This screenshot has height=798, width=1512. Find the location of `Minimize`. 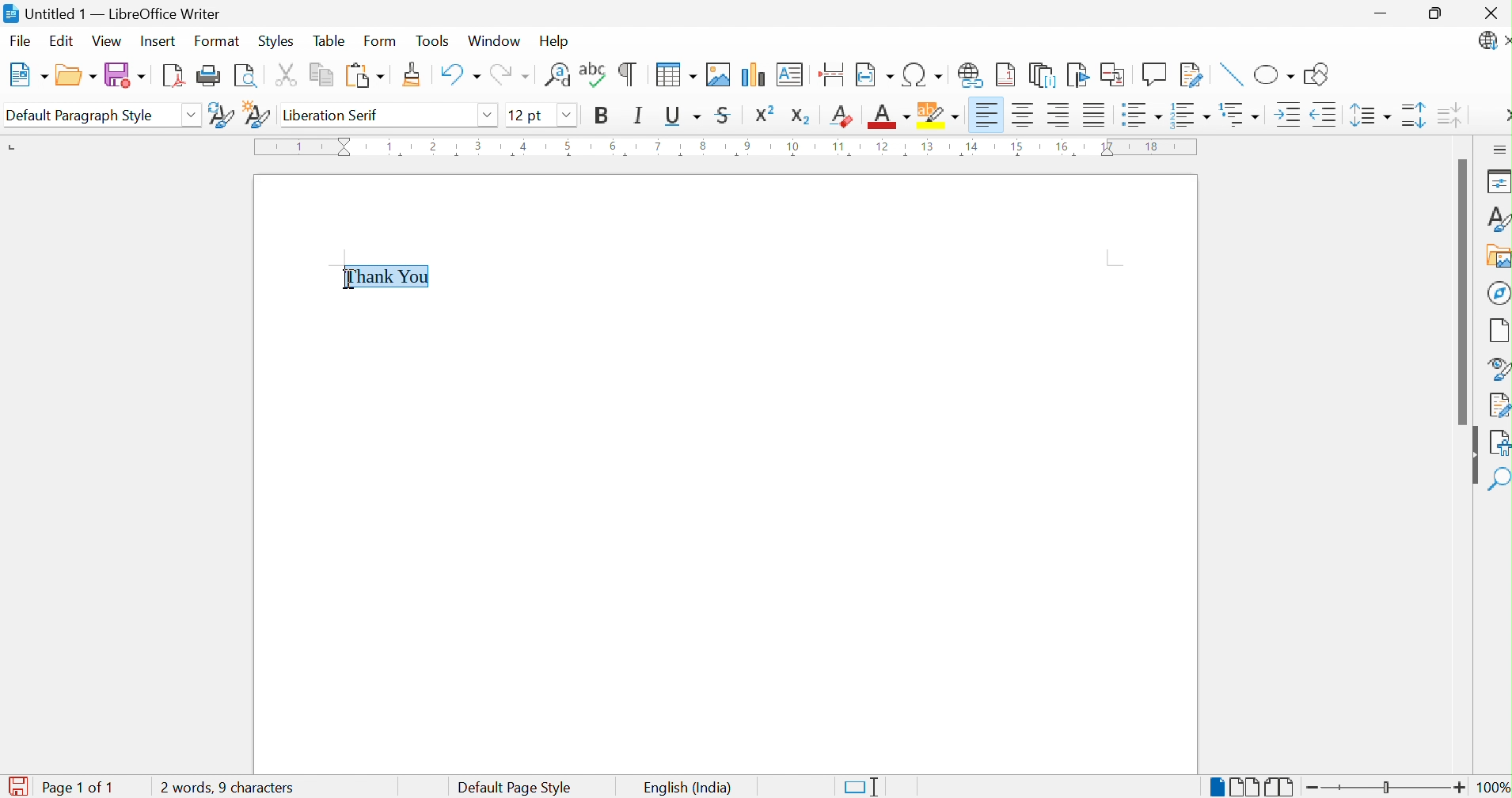

Minimize is located at coordinates (1382, 13).